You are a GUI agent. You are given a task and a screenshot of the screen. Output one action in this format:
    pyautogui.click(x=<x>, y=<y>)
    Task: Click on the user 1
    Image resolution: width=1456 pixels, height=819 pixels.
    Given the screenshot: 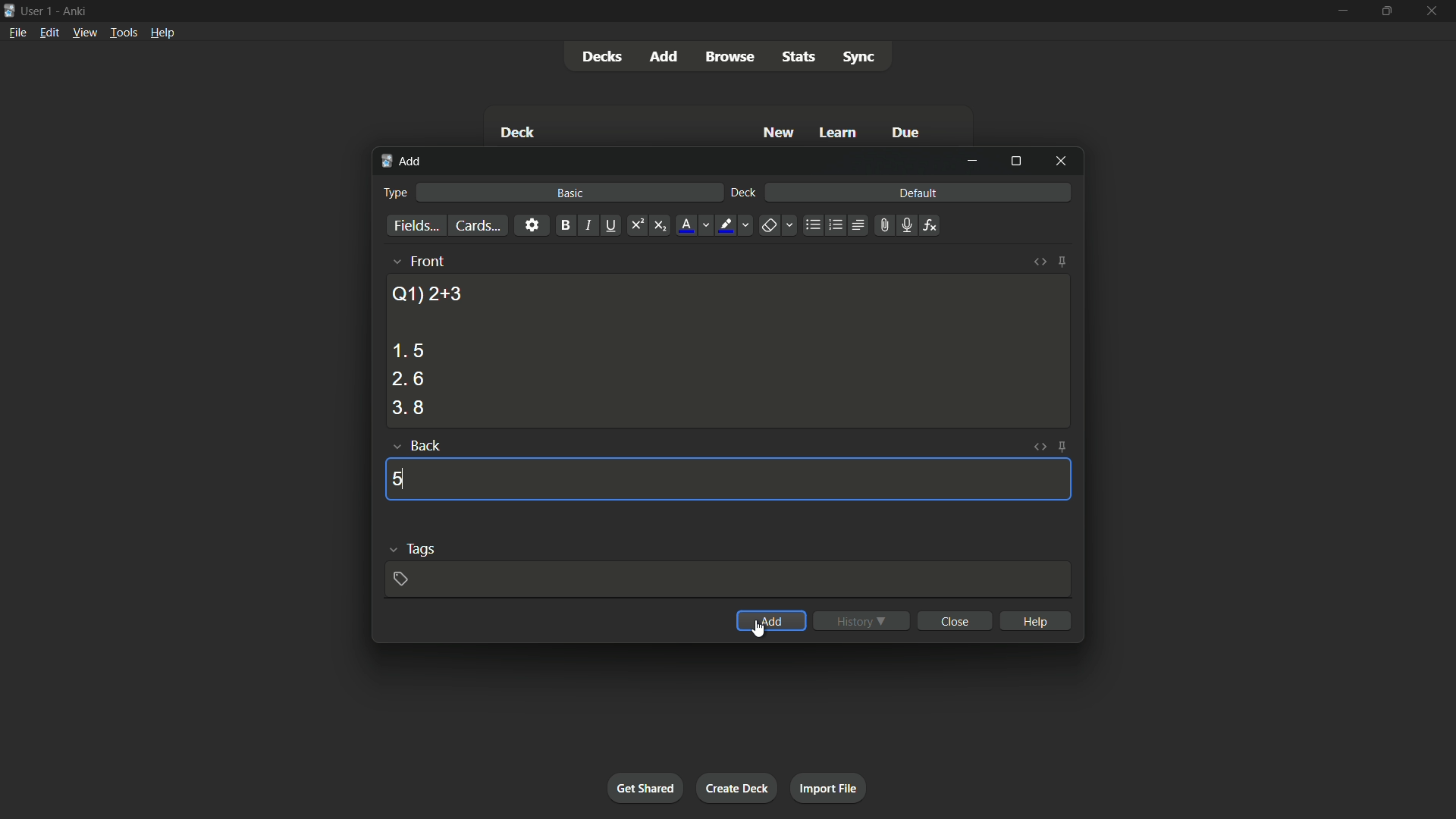 What is the action you would take?
    pyautogui.click(x=37, y=8)
    